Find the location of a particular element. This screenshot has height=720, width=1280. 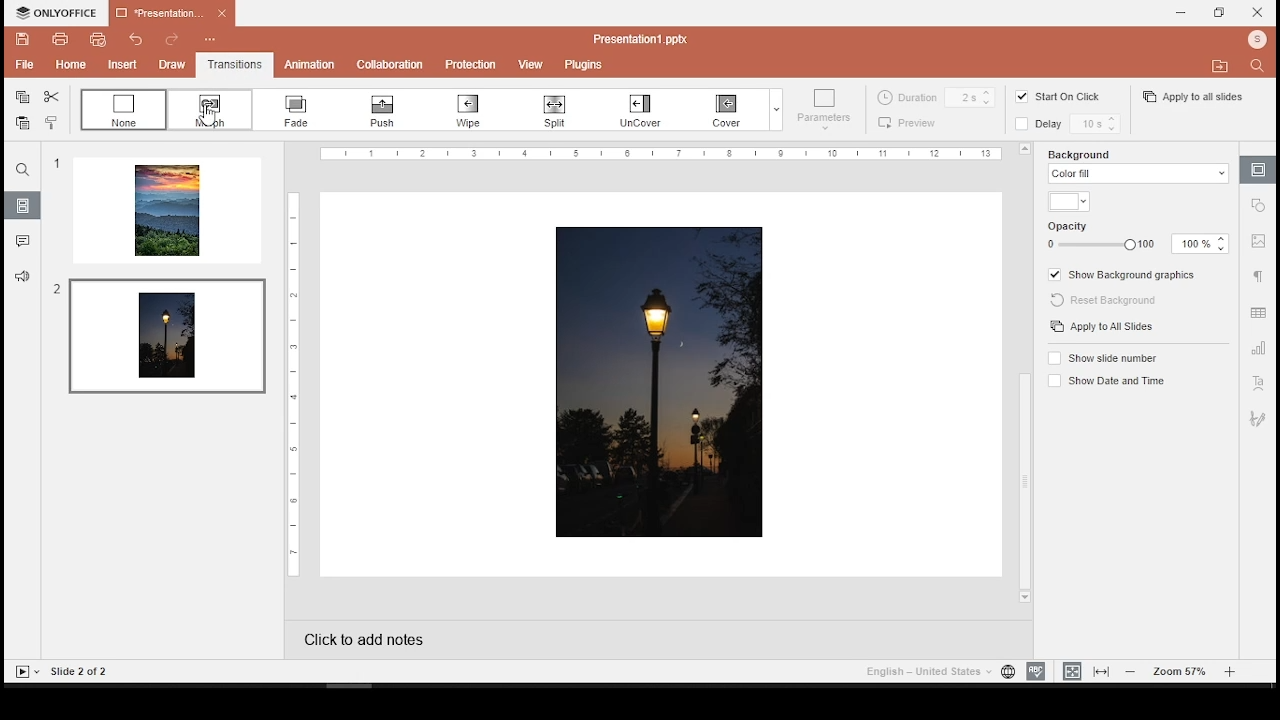

close window is located at coordinates (1260, 13).